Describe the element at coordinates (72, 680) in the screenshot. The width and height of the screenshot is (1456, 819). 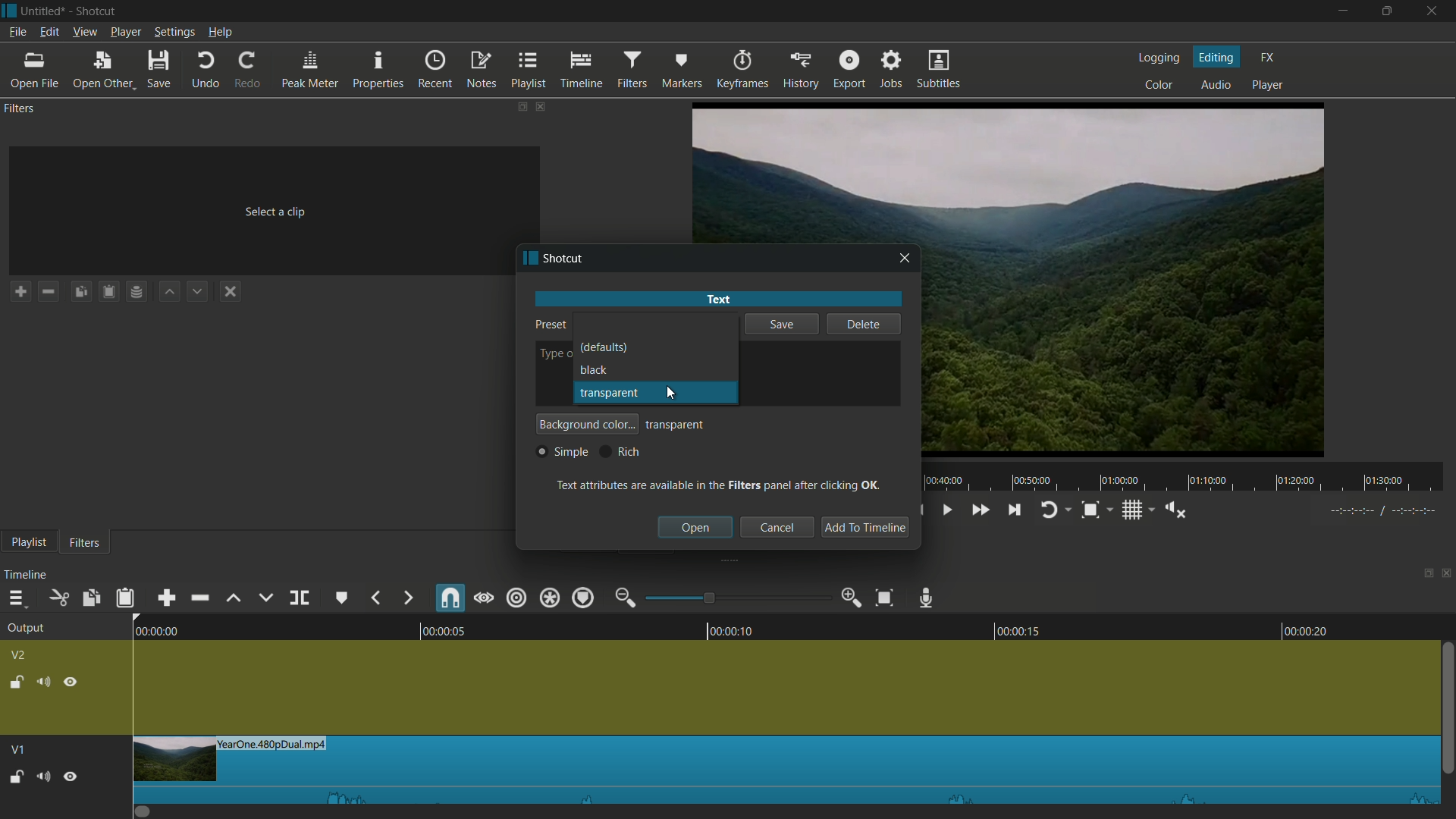
I see `hide` at that location.